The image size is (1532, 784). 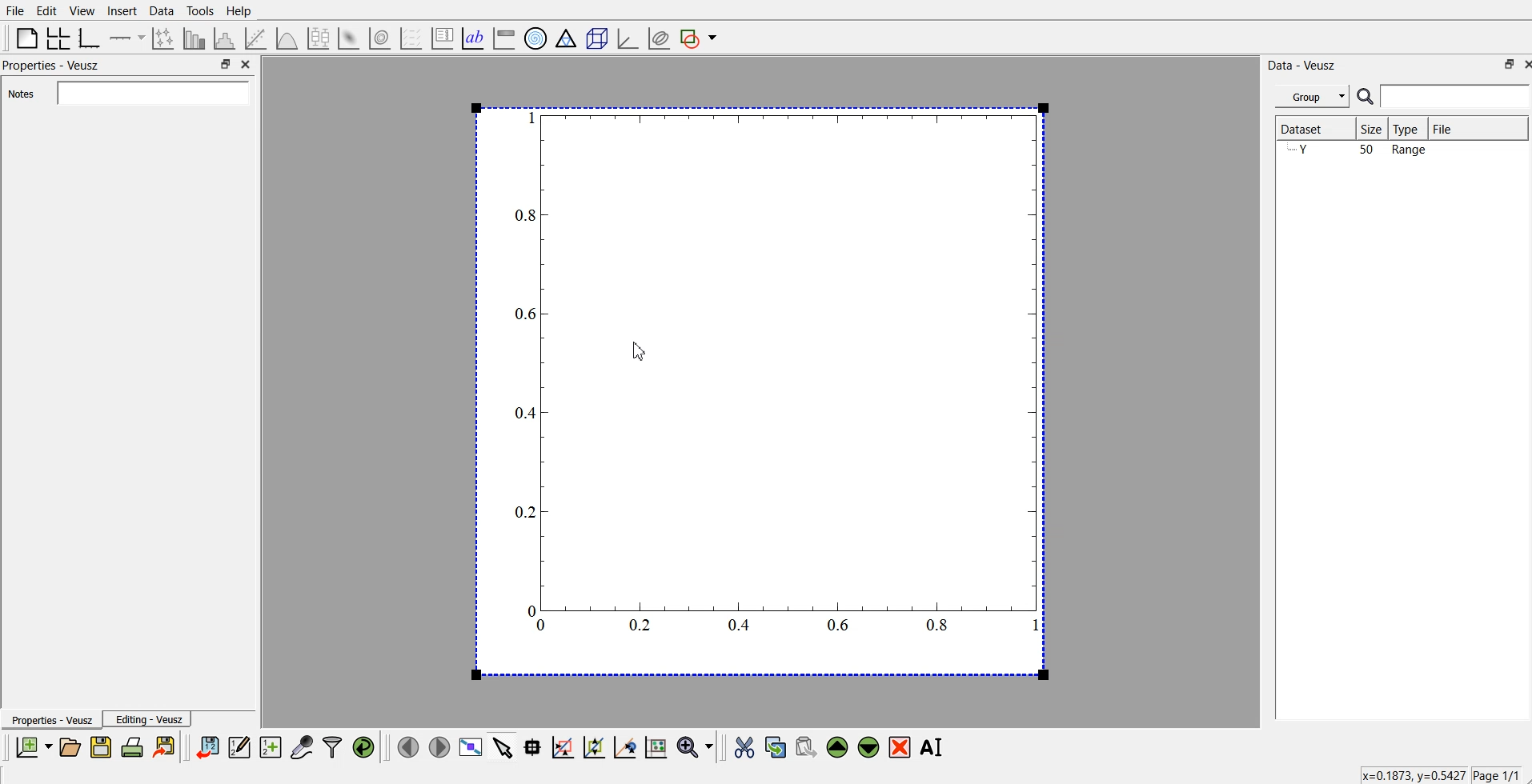 I want to click on Tools, so click(x=200, y=11).